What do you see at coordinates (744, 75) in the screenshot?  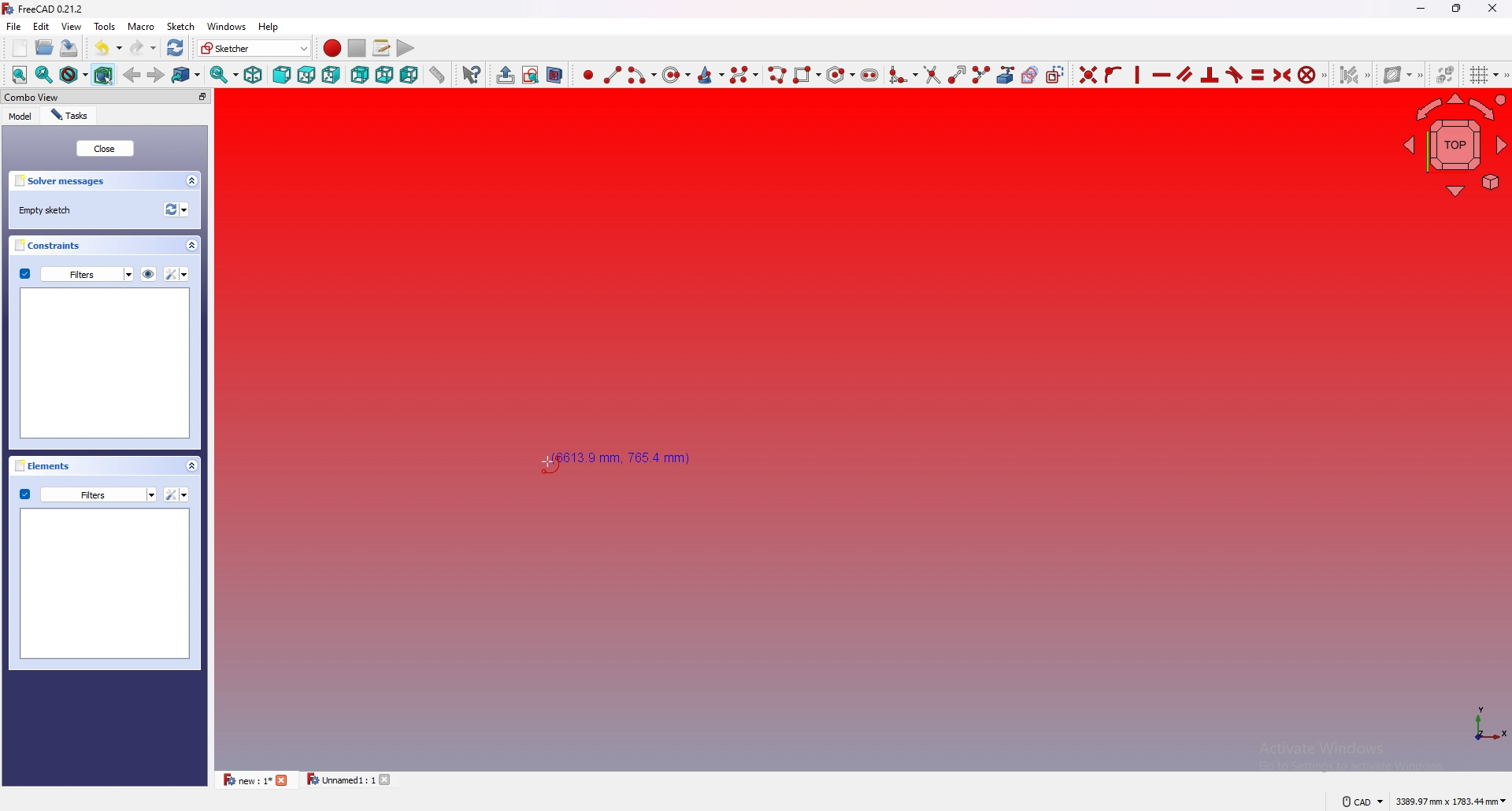 I see `create b spline` at bounding box center [744, 75].